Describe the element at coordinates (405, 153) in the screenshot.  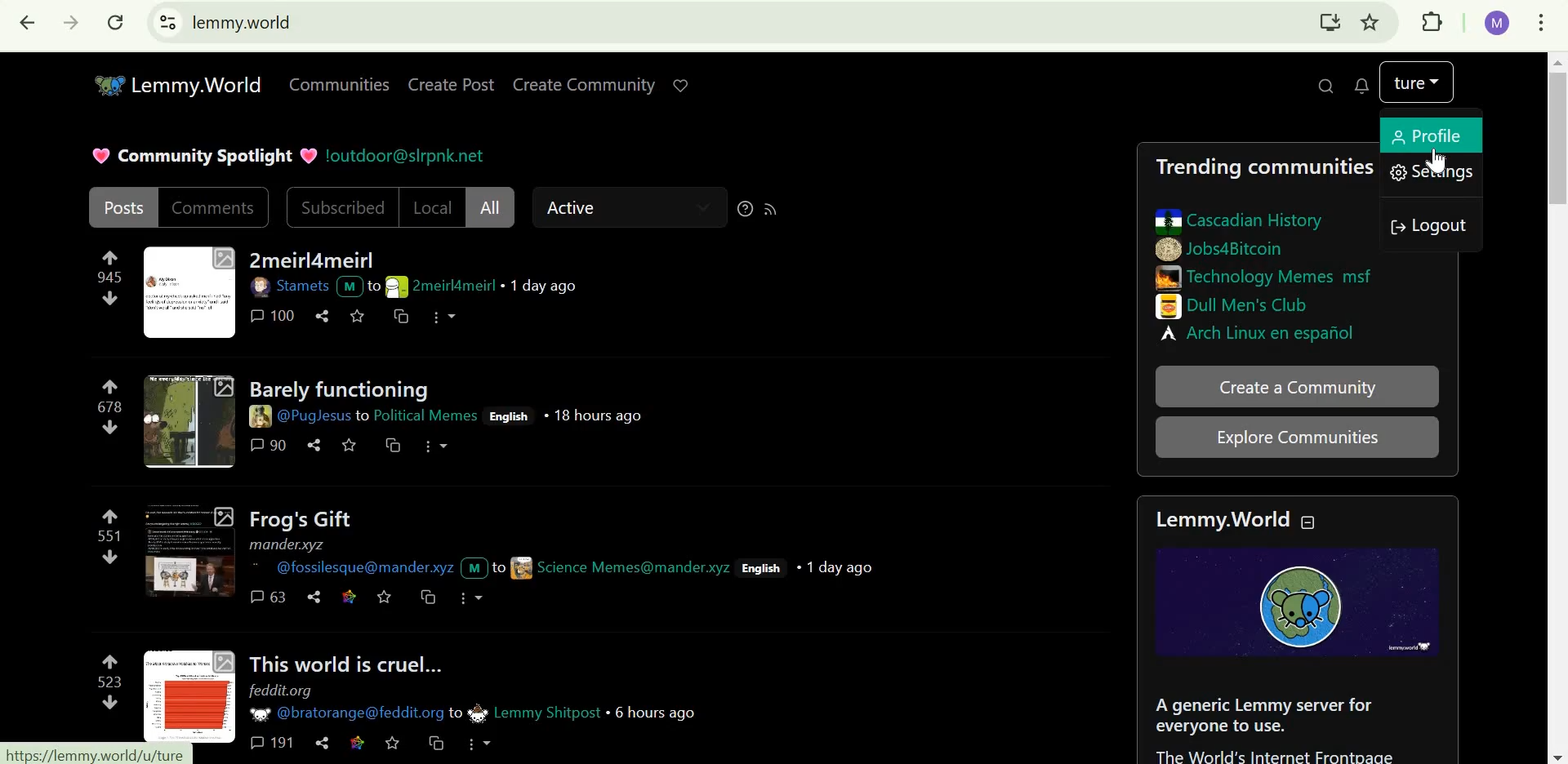
I see `!outdoor@slrpnk.net` at that location.